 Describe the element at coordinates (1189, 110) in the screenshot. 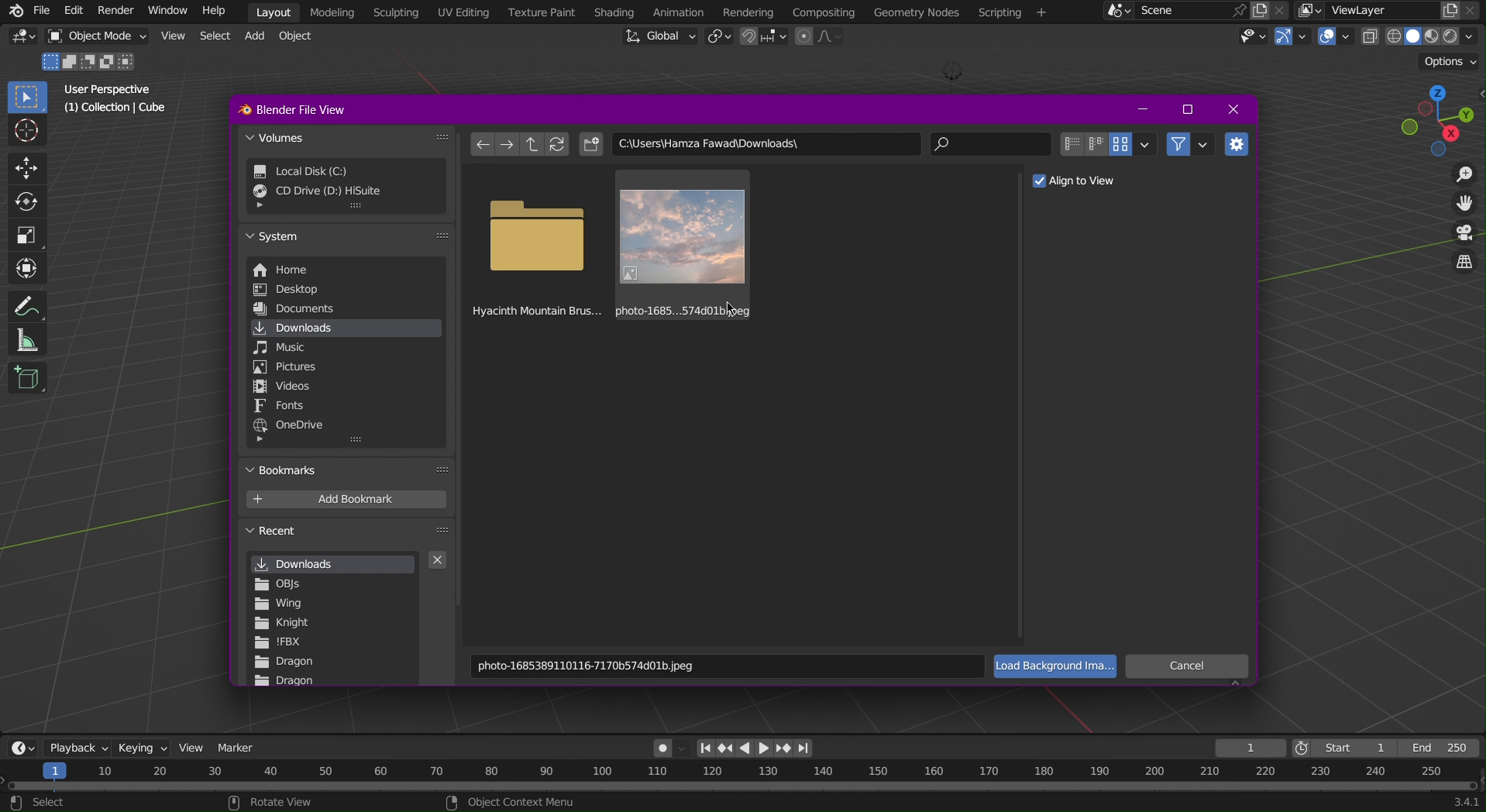

I see `Maximize` at that location.